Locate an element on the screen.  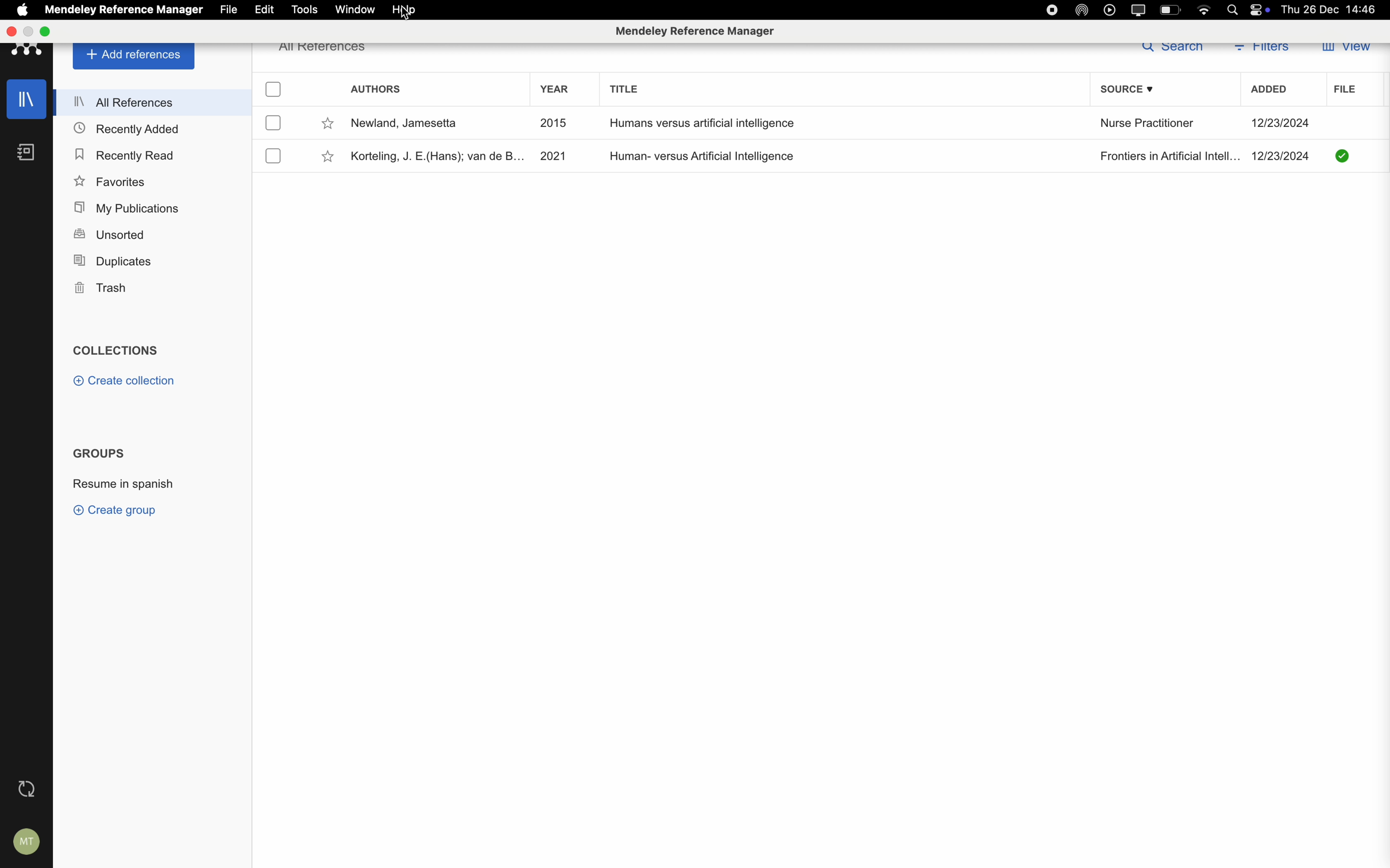
close Mendeley is located at coordinates (10, 32).